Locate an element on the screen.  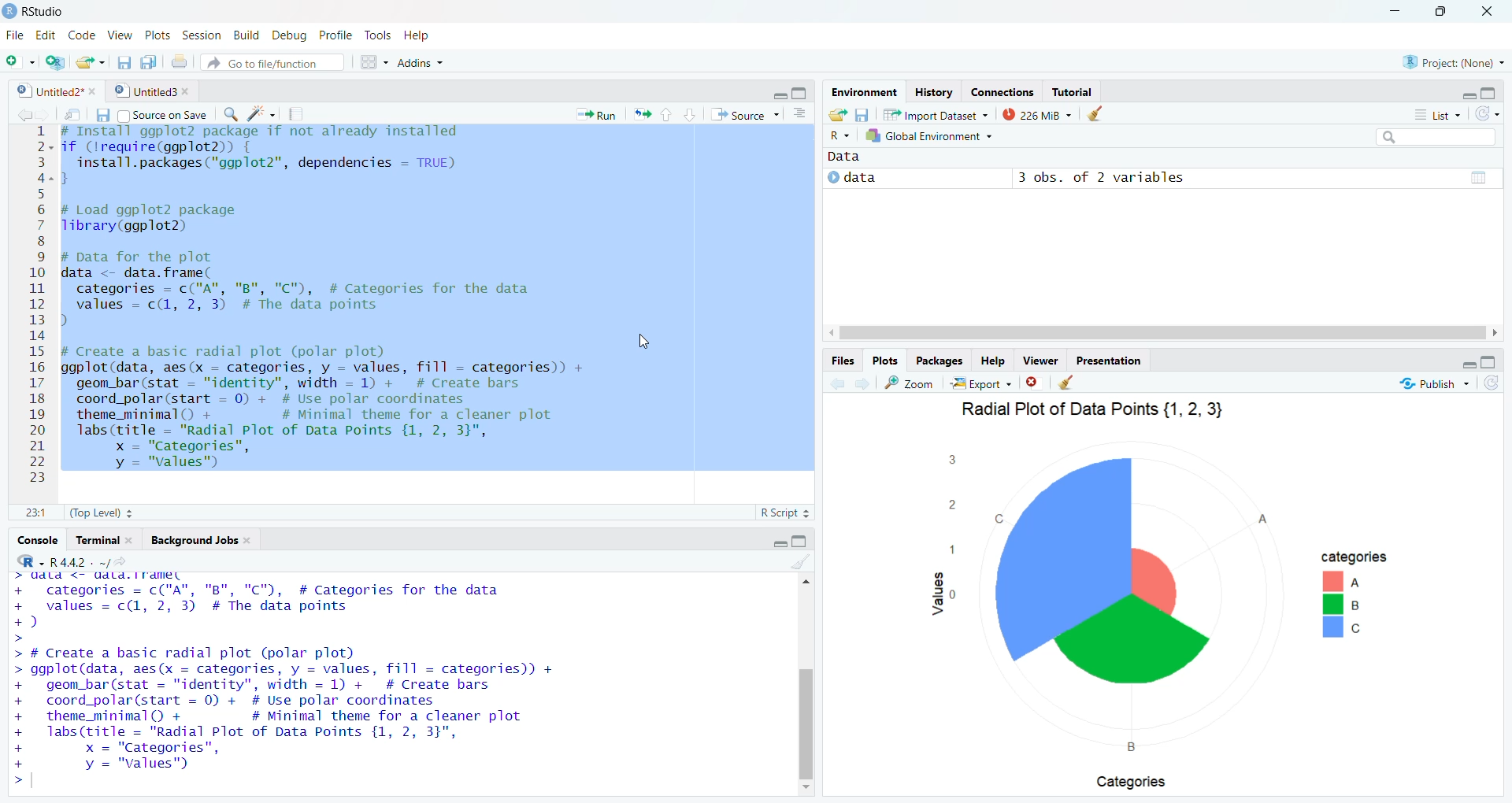
Minimize is located at coordinates (778, 95).